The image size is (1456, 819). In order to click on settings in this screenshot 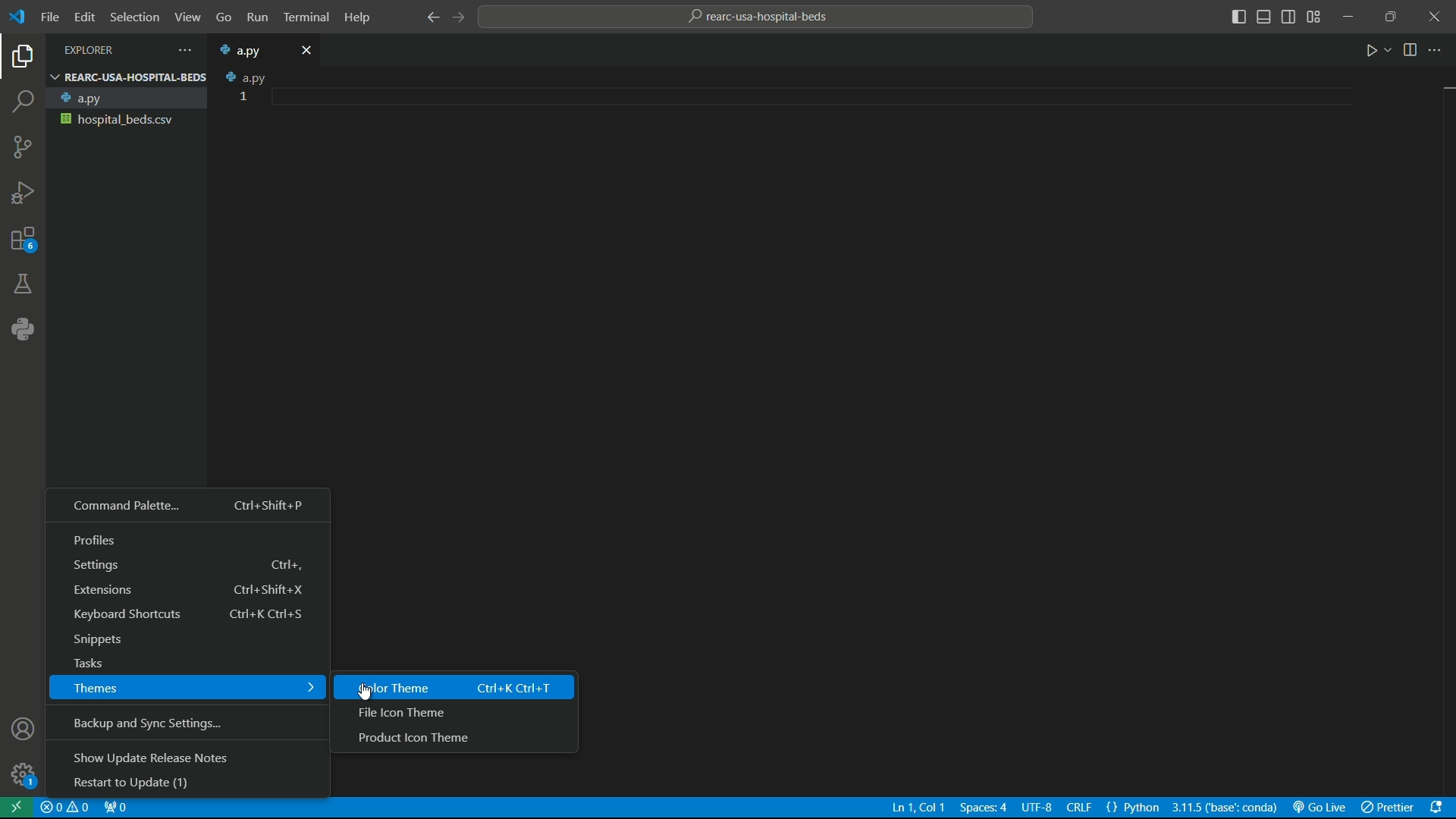, I will do `click(188, 566)`.